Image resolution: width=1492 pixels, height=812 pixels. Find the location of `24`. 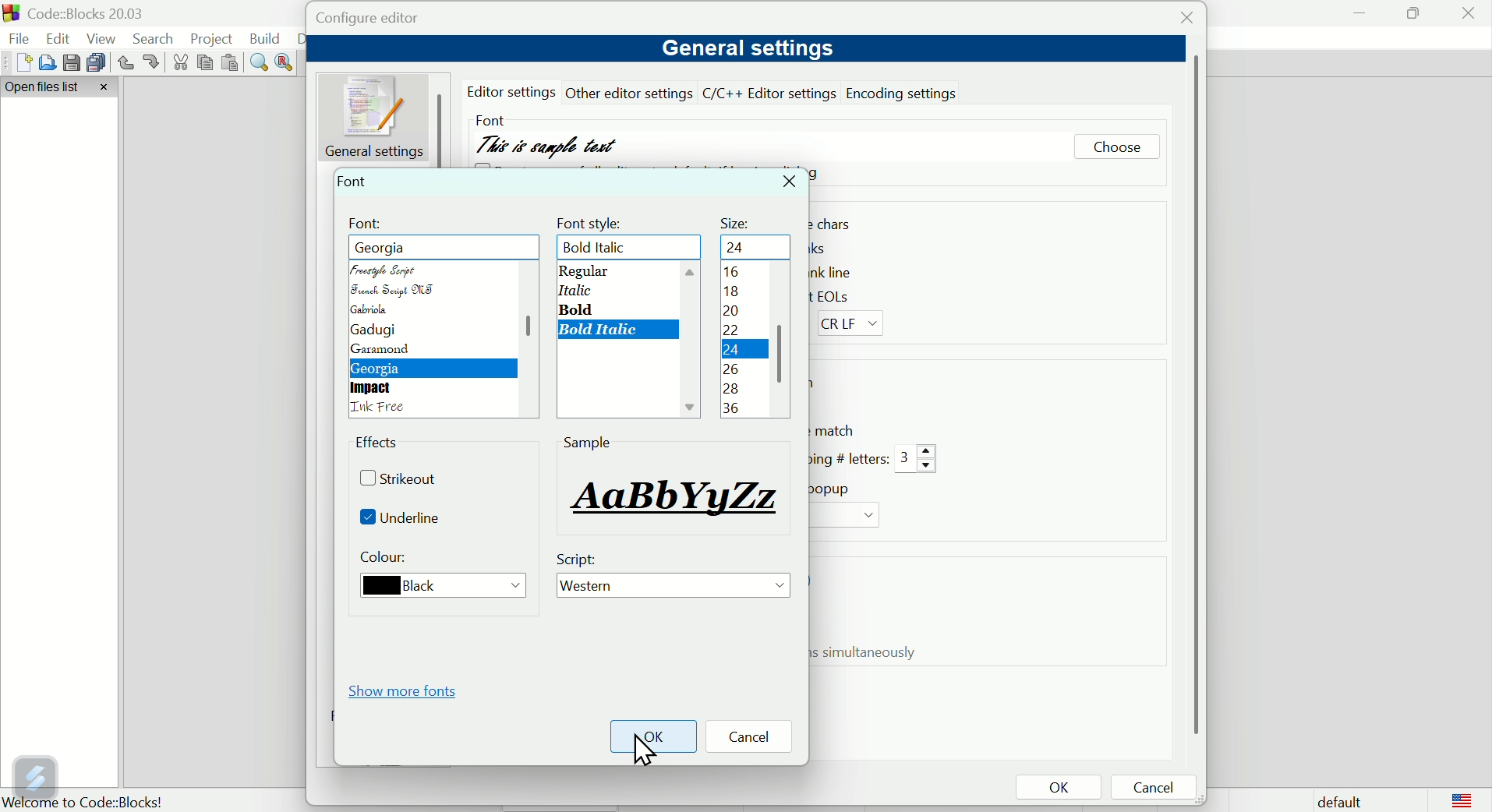

24 is located at coordinates (730, 352).